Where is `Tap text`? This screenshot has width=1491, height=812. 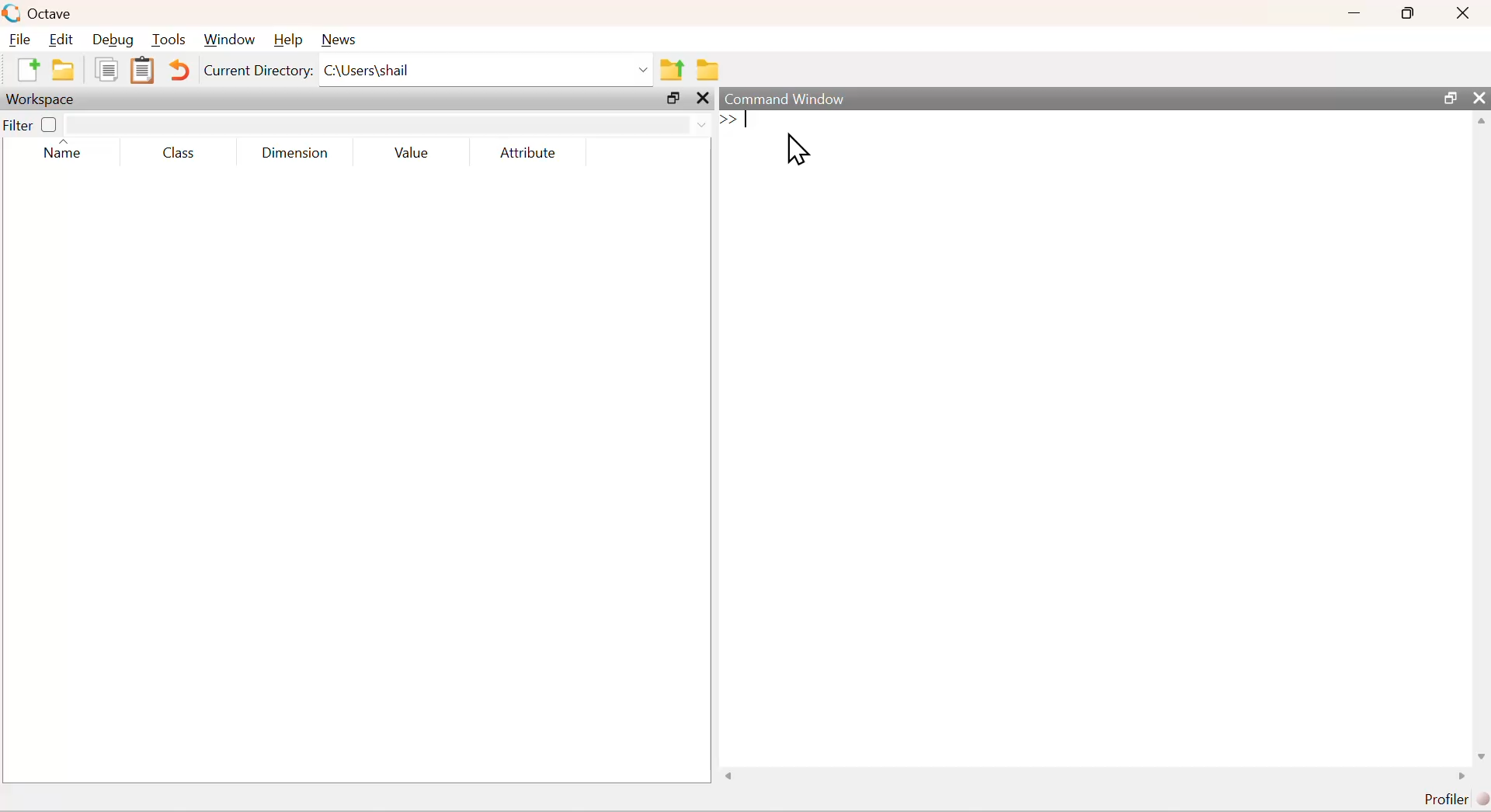 Tap text is located at coordinates (749, 121).